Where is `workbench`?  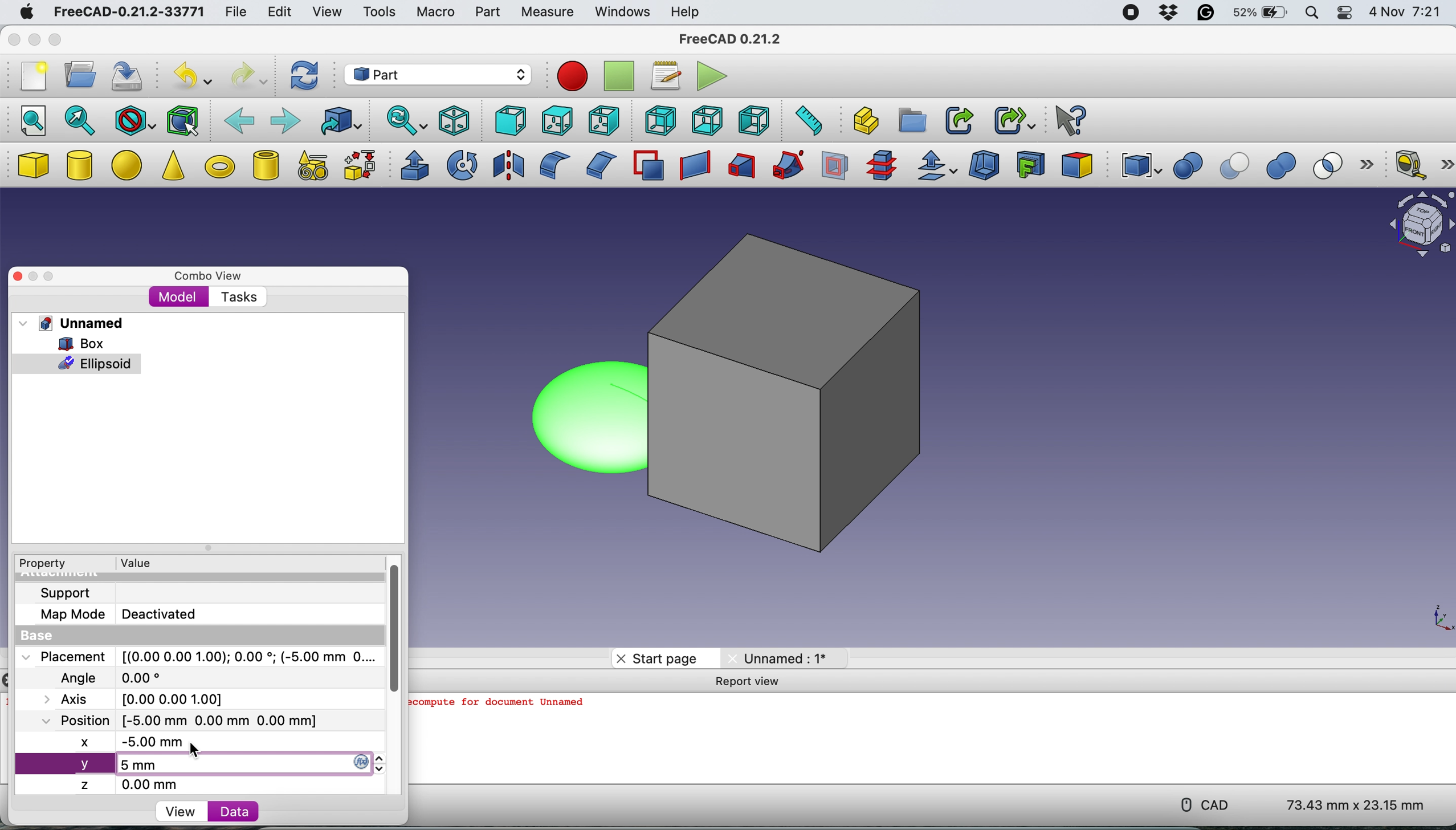
workbench is located at coordinates (437, 74).